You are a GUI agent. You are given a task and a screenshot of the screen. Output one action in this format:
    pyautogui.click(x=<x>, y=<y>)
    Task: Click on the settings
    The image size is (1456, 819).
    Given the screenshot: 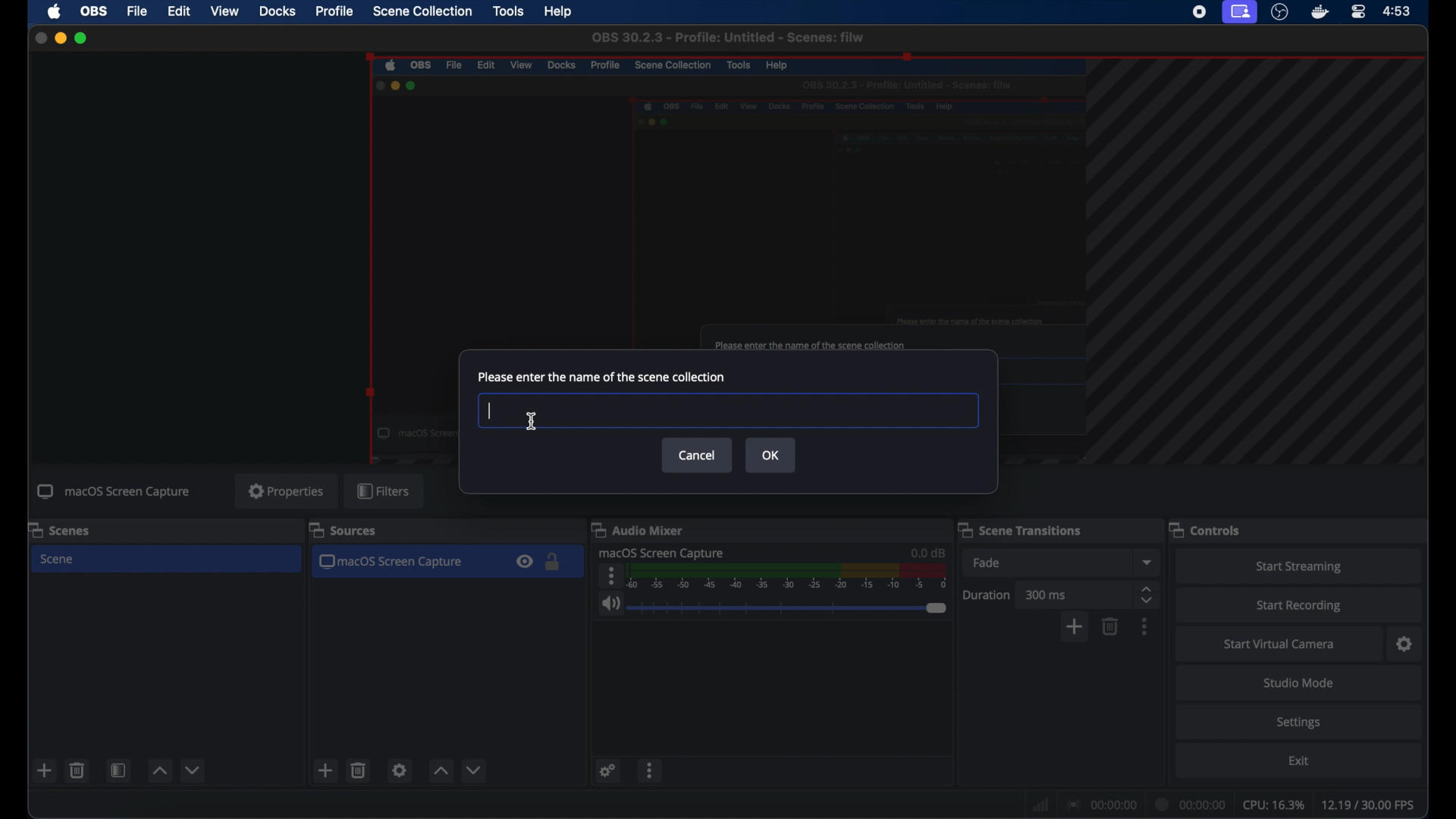 What is the action you would take?
    pyautogui.click(x=607, y=771)
    